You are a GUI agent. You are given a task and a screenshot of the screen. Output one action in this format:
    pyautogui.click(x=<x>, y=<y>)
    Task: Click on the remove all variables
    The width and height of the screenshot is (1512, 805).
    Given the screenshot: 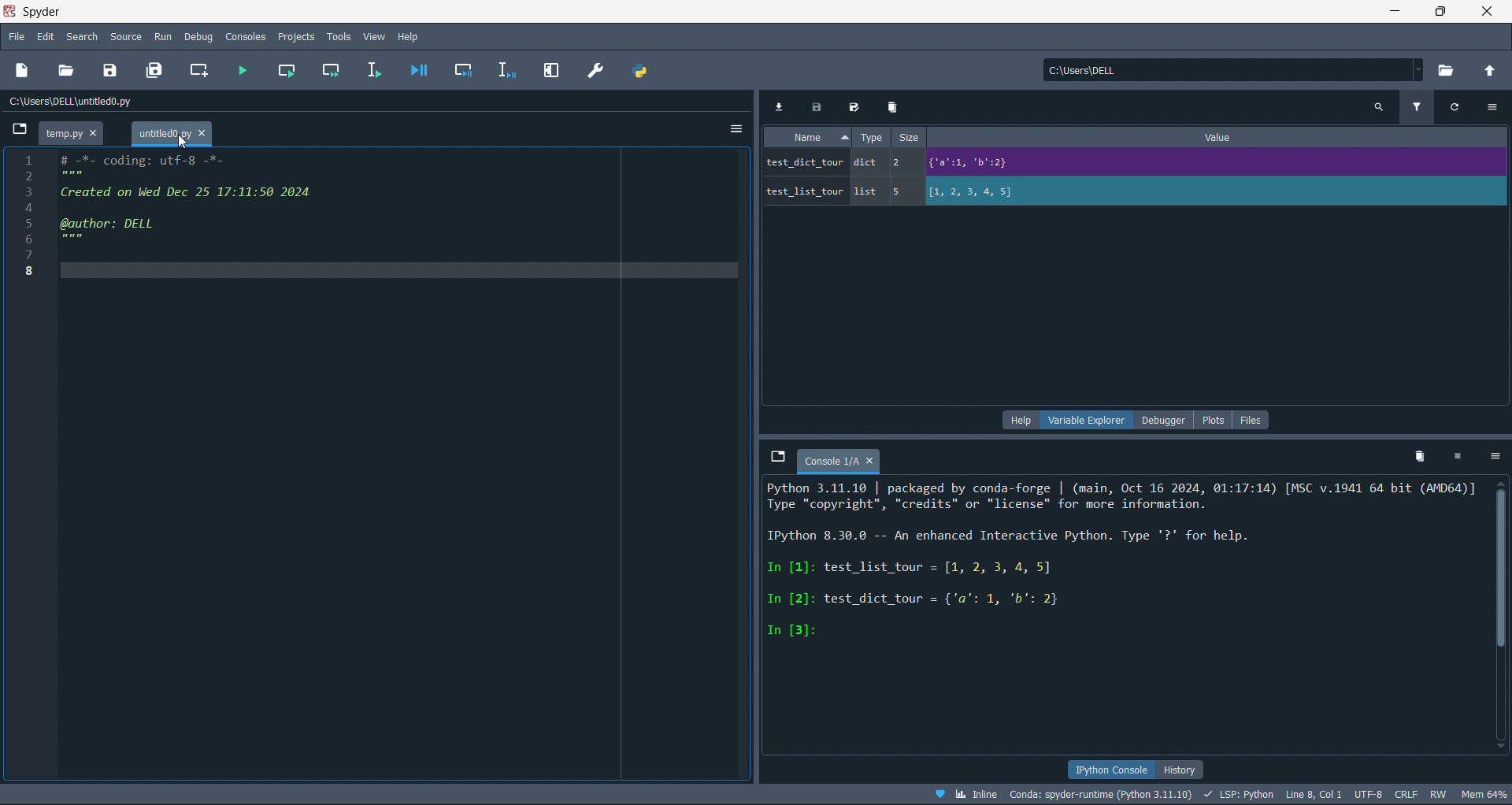 What is the action you would take?
    pyautogui.click(x=1417, y=455)
    